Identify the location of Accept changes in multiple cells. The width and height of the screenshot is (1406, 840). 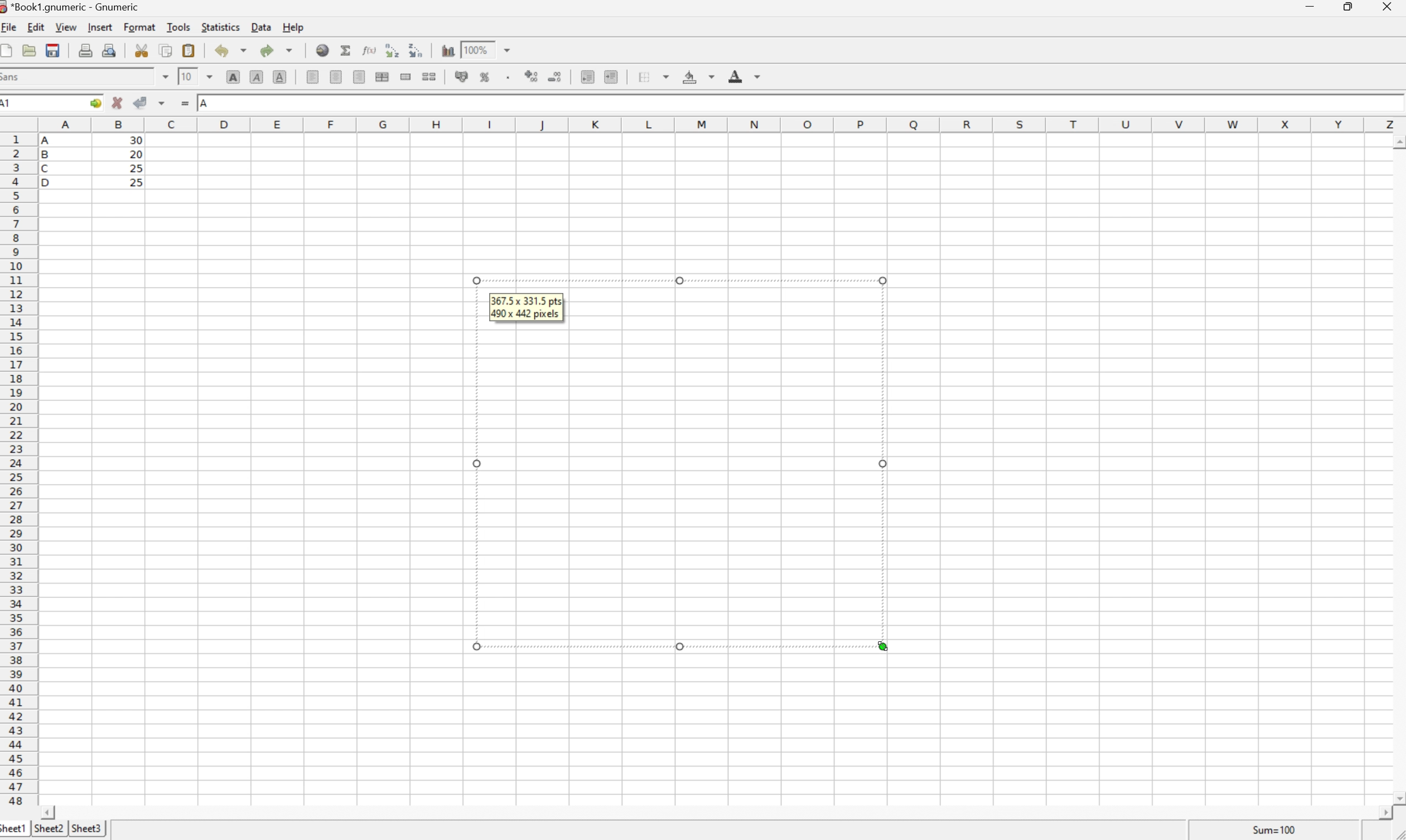
(163, 101).